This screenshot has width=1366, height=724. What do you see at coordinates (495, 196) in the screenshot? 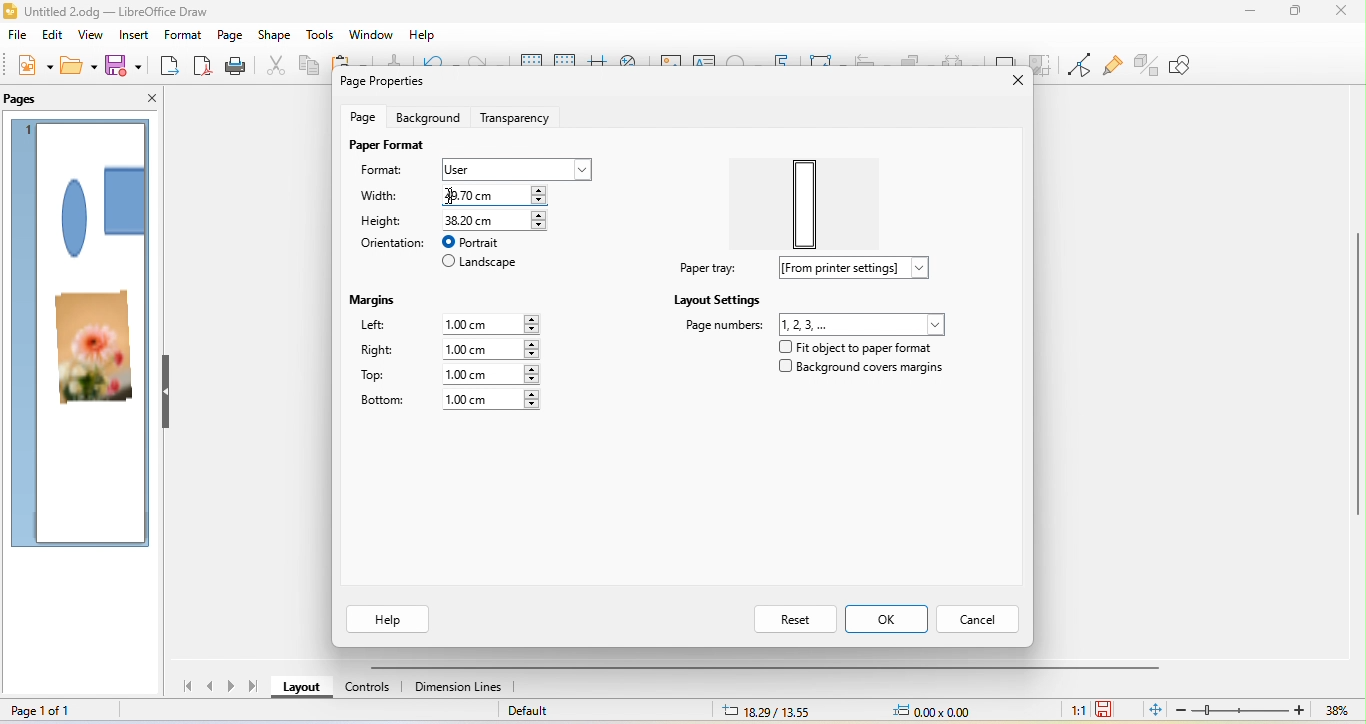
I see `49.70 cm` at bounding box center [495, 196].